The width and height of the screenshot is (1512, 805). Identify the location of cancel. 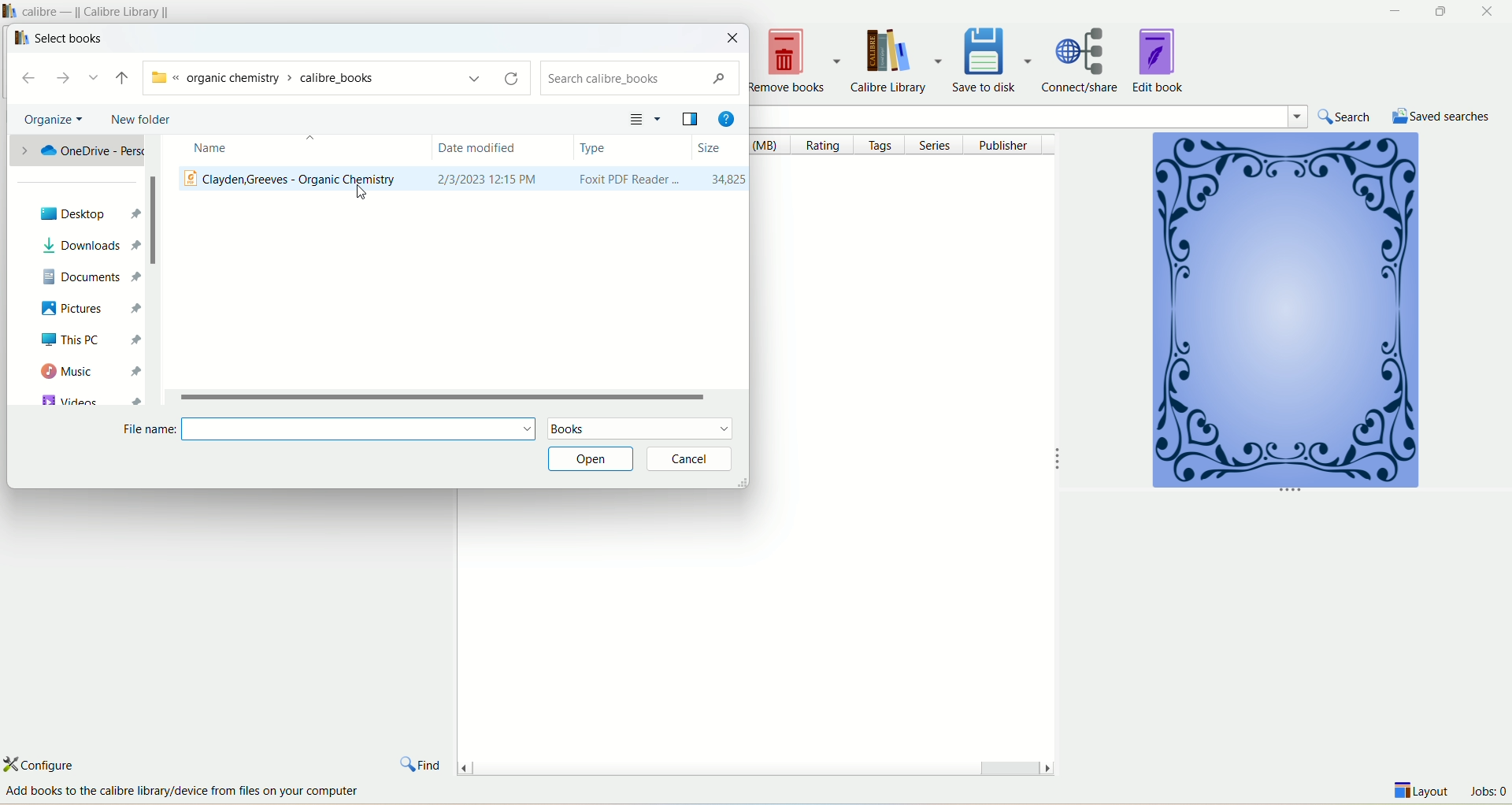
(691, 459).